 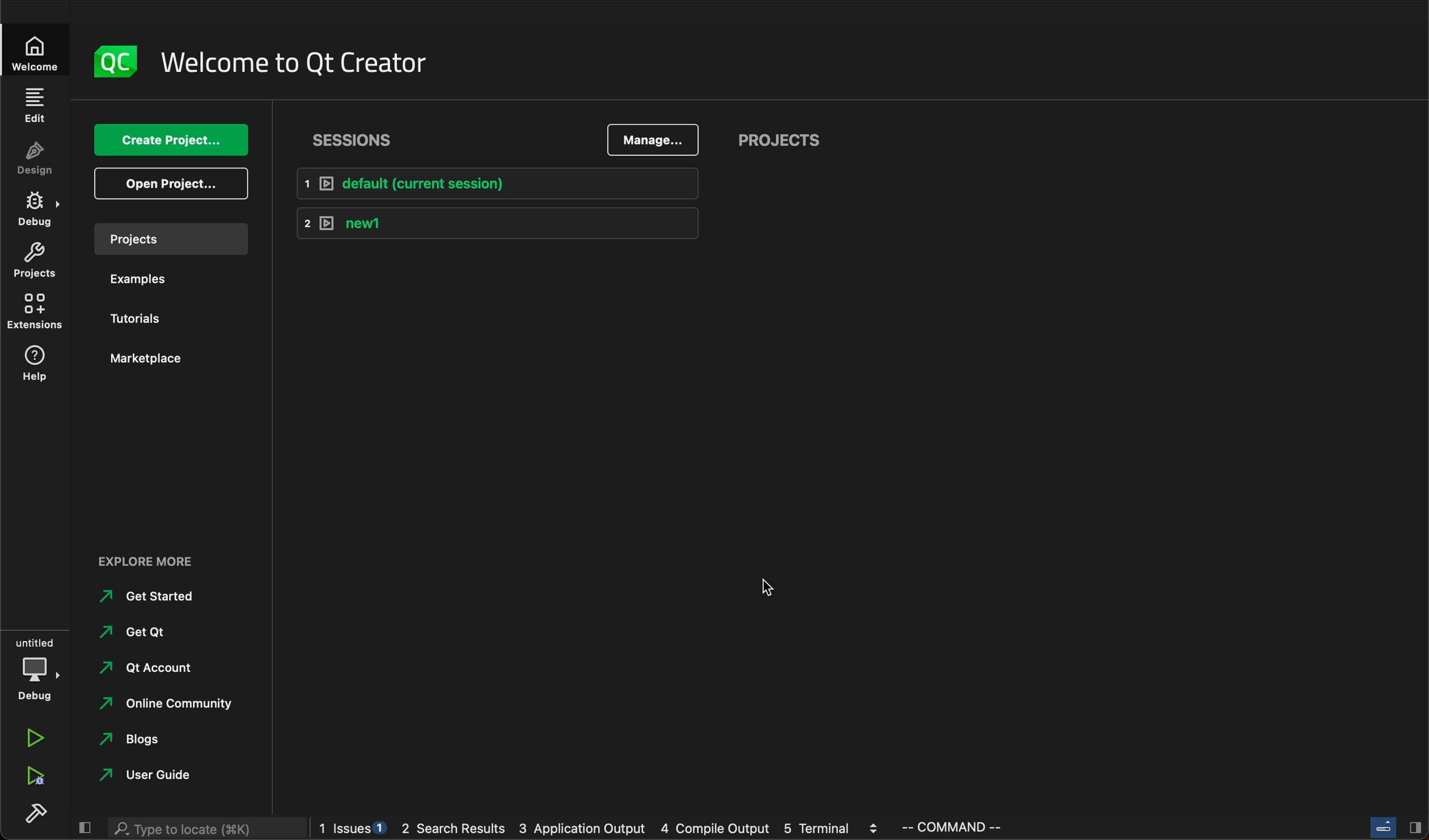 I want to click on design, so click(x=31, y=159).